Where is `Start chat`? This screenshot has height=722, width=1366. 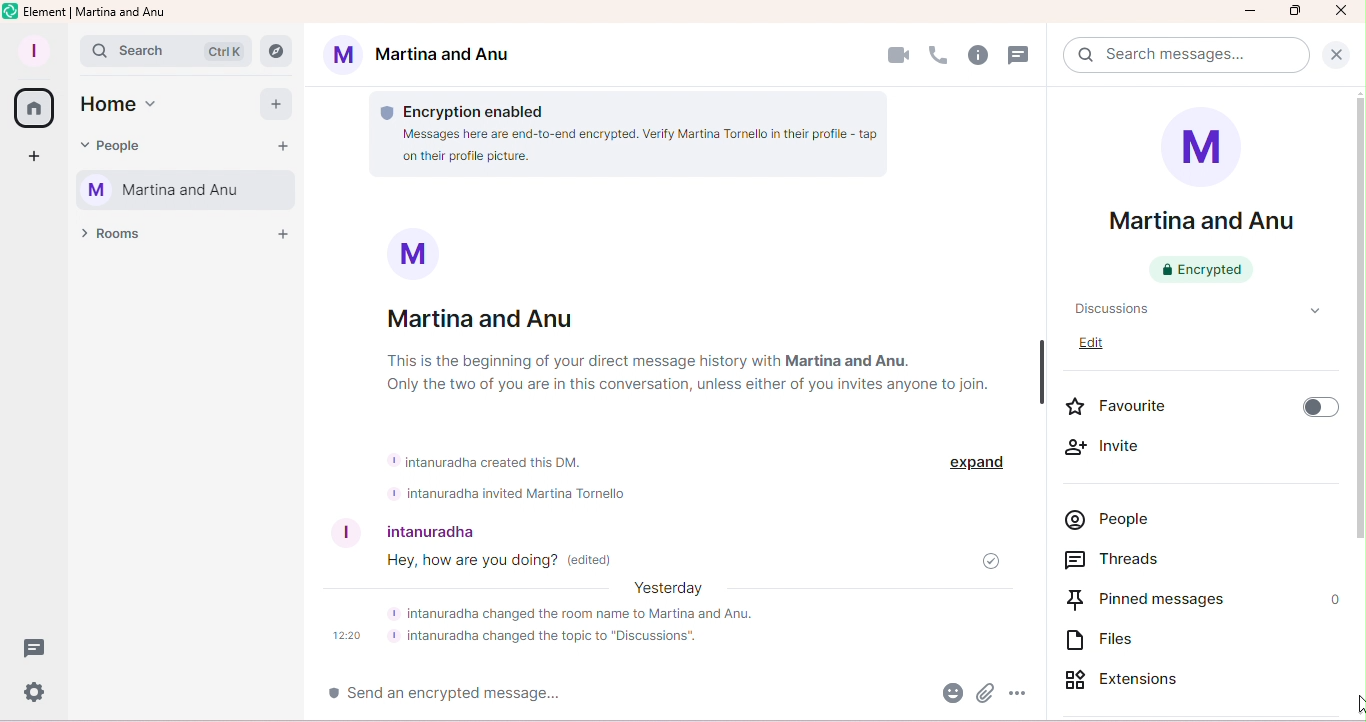
Start chat is located at coordinates (282, 145).